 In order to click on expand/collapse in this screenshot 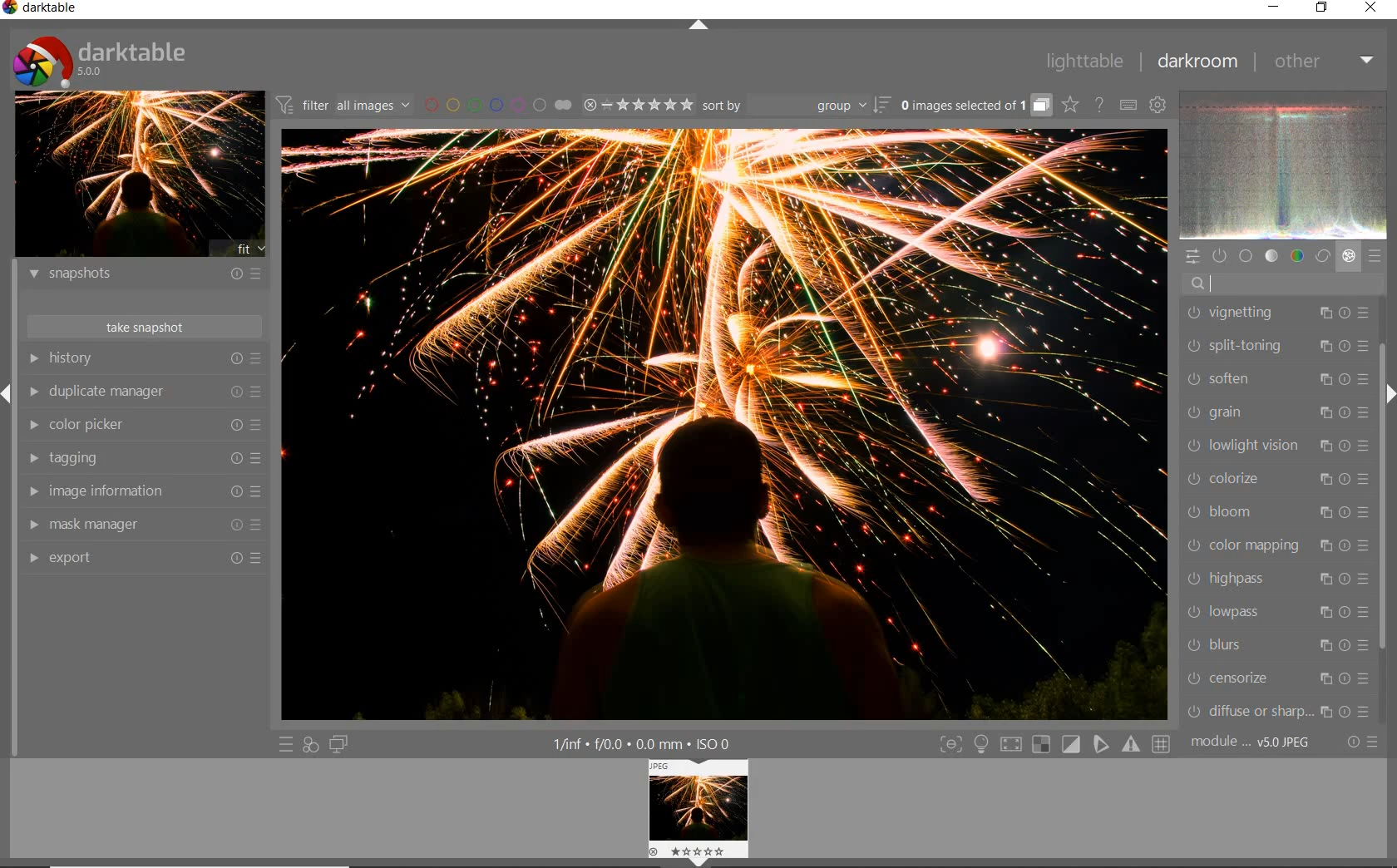, I will do `click(700, 26)`.